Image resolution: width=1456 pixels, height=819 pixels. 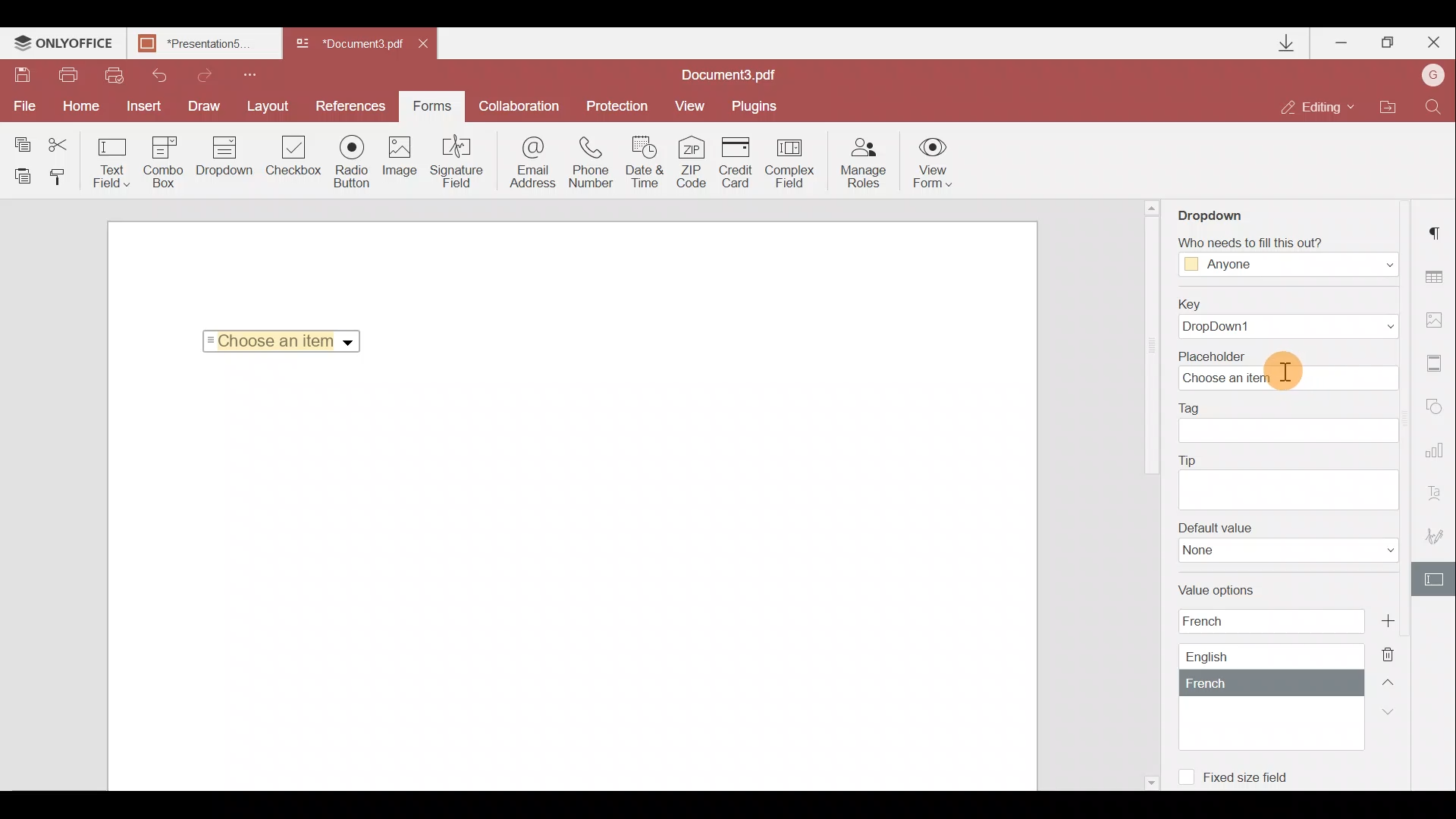 I want to click on Maximize, so click(x=1389, y=42).